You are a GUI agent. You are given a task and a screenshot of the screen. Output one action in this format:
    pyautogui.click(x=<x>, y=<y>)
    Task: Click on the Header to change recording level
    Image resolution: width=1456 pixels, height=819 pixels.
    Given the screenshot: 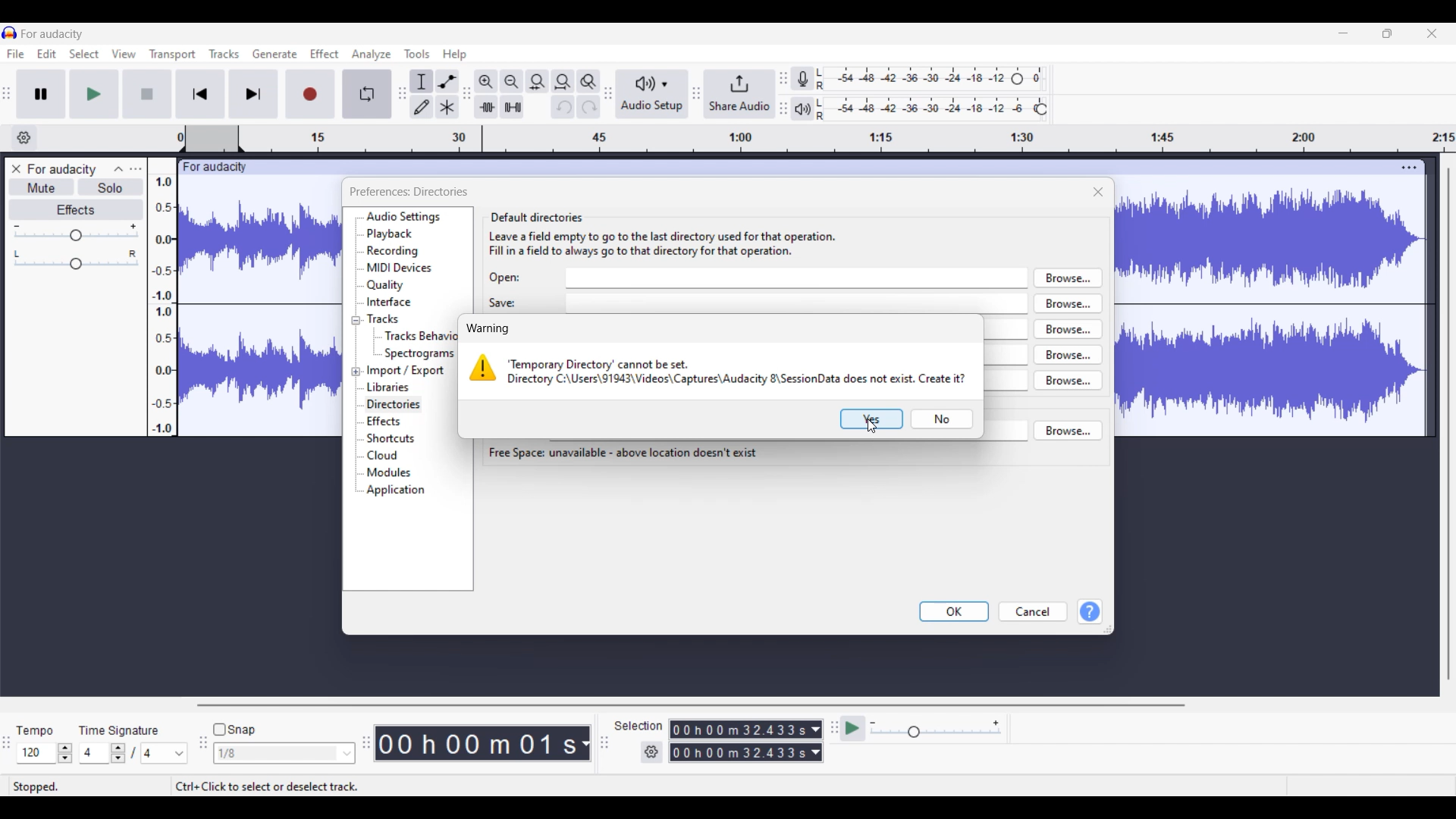 What is the action you would take?
    pyautogui.click(x=1017, y=79)
    